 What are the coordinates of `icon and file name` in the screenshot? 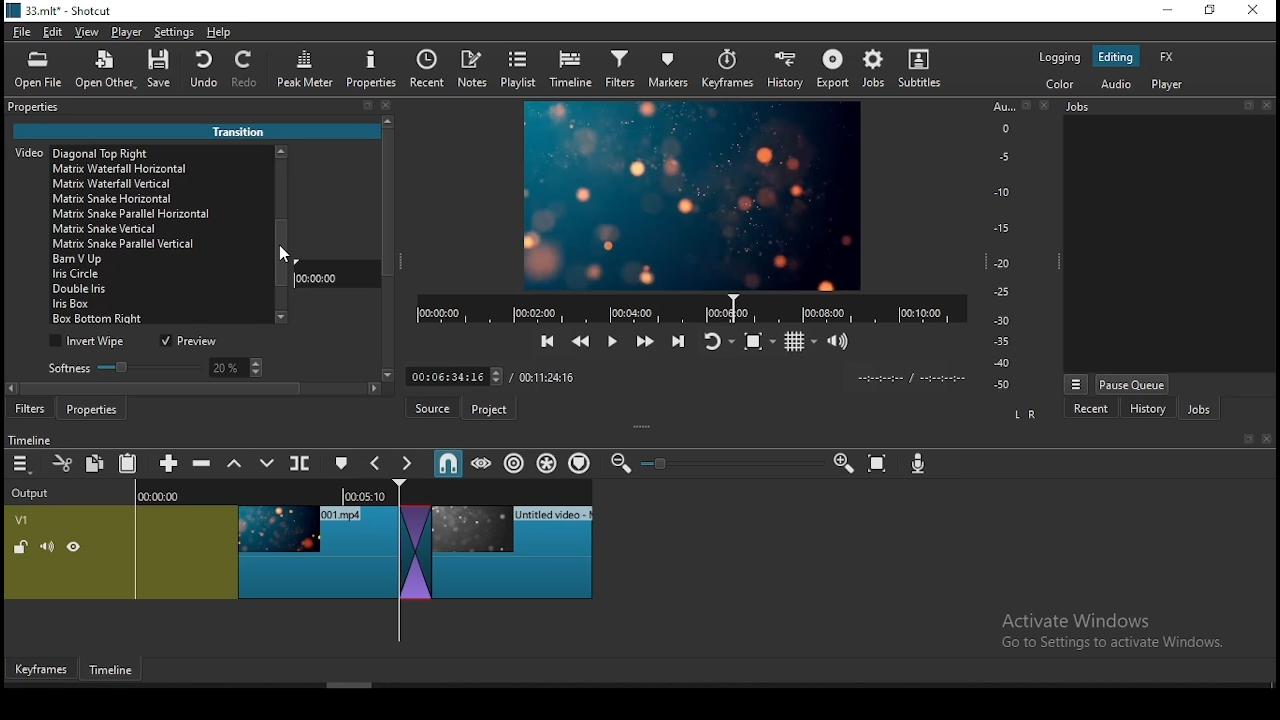 It's located at (62, 13).